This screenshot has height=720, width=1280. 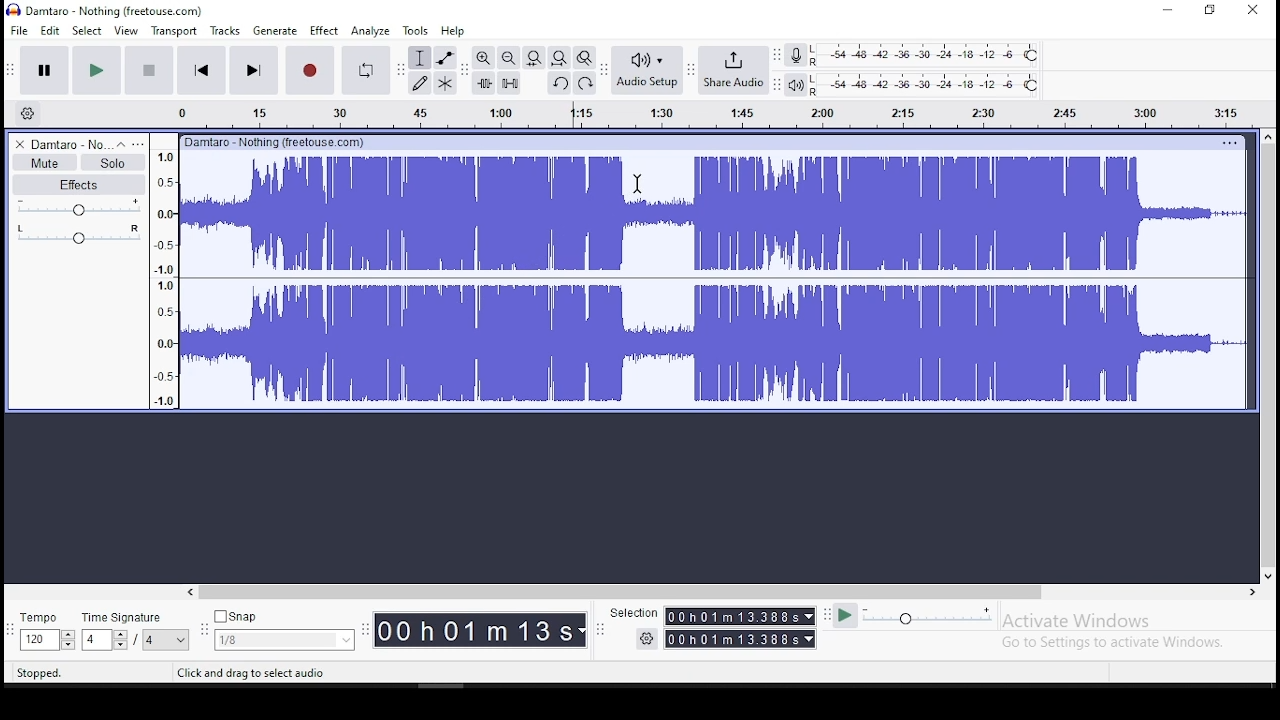 I want to click on audio track name, so click(x=69, y=143).